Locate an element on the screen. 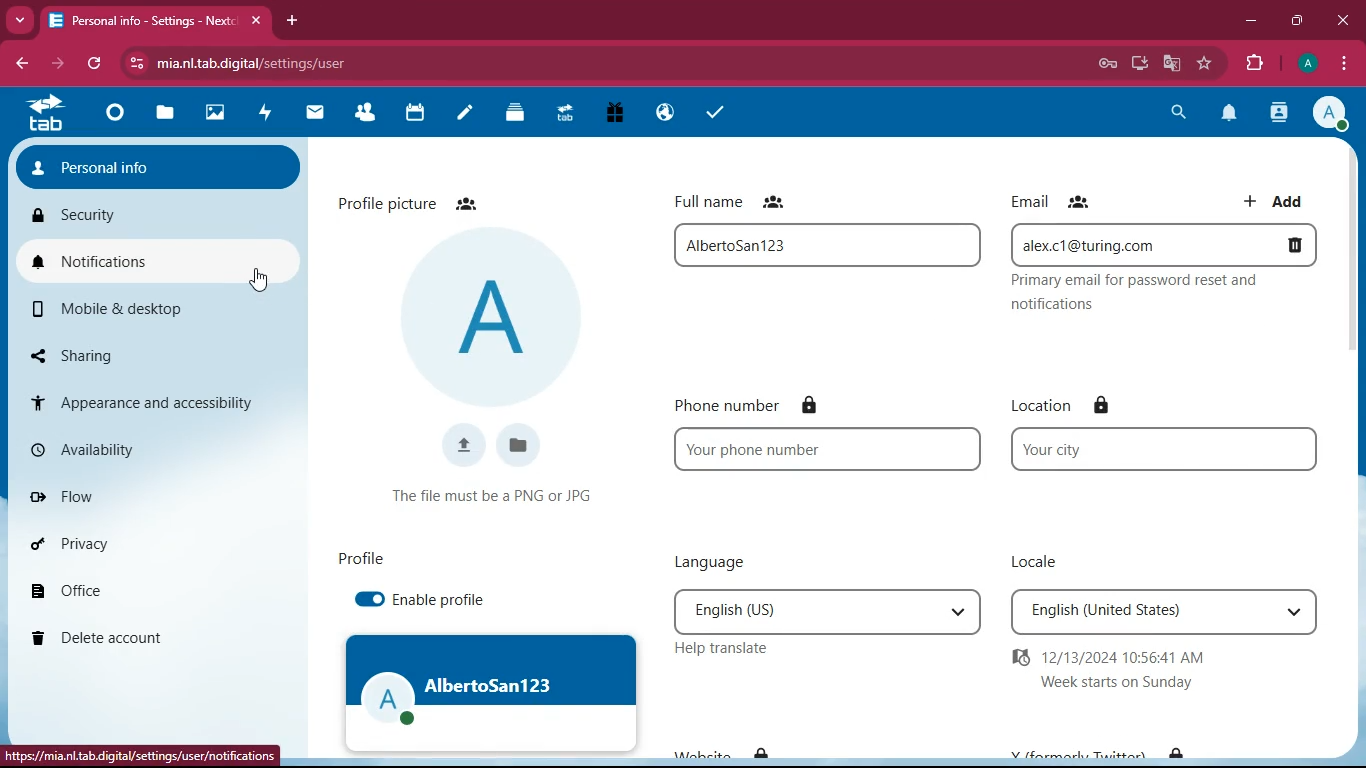 Image resolution: width=1366 pixels, height=768 pixels. Contacts is located at coordinates (366, 114).